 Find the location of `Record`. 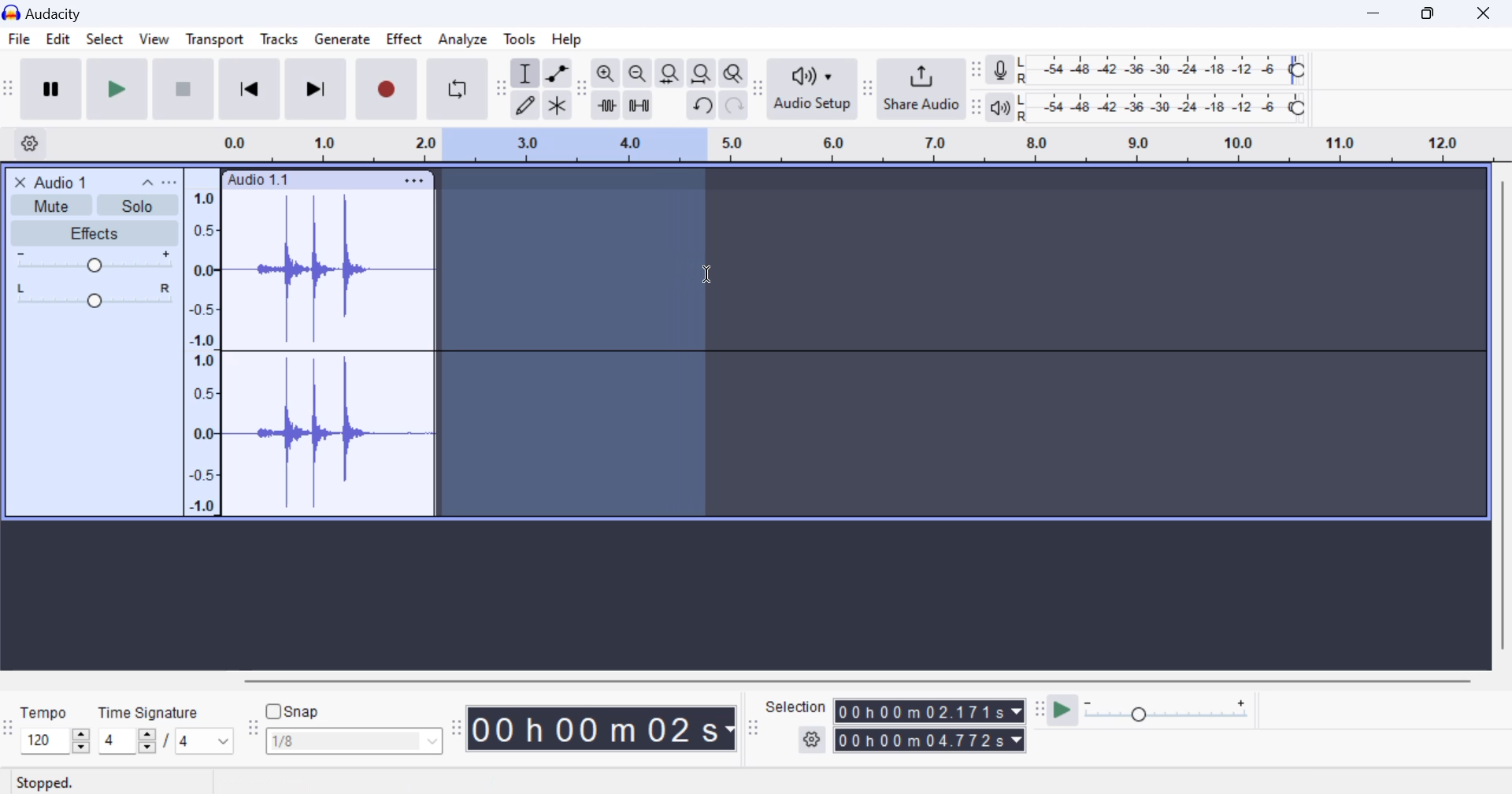

Record is located at coordinates (384, 90).